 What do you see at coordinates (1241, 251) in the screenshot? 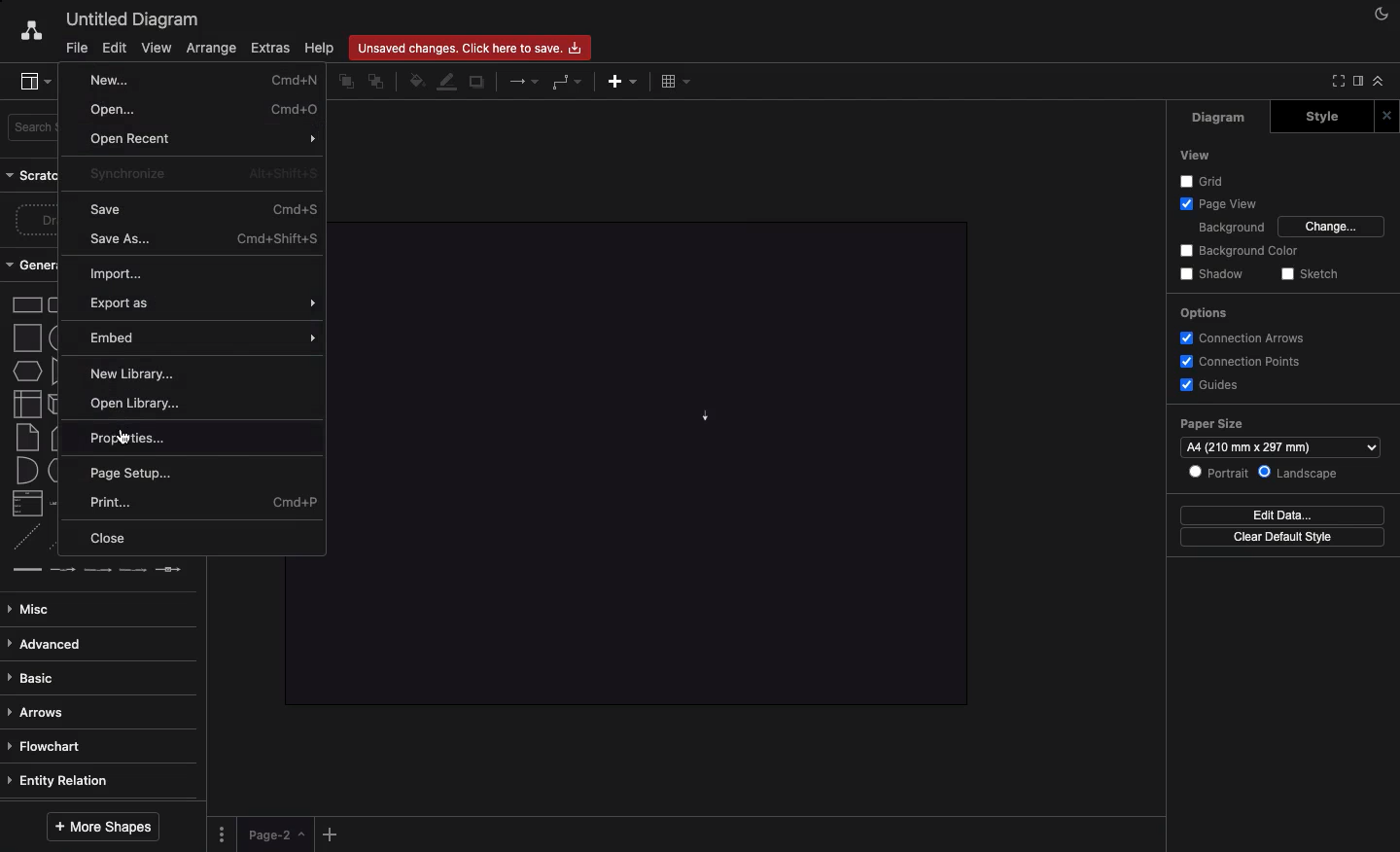
I see `Background color` at bounding box center [1241, 251].